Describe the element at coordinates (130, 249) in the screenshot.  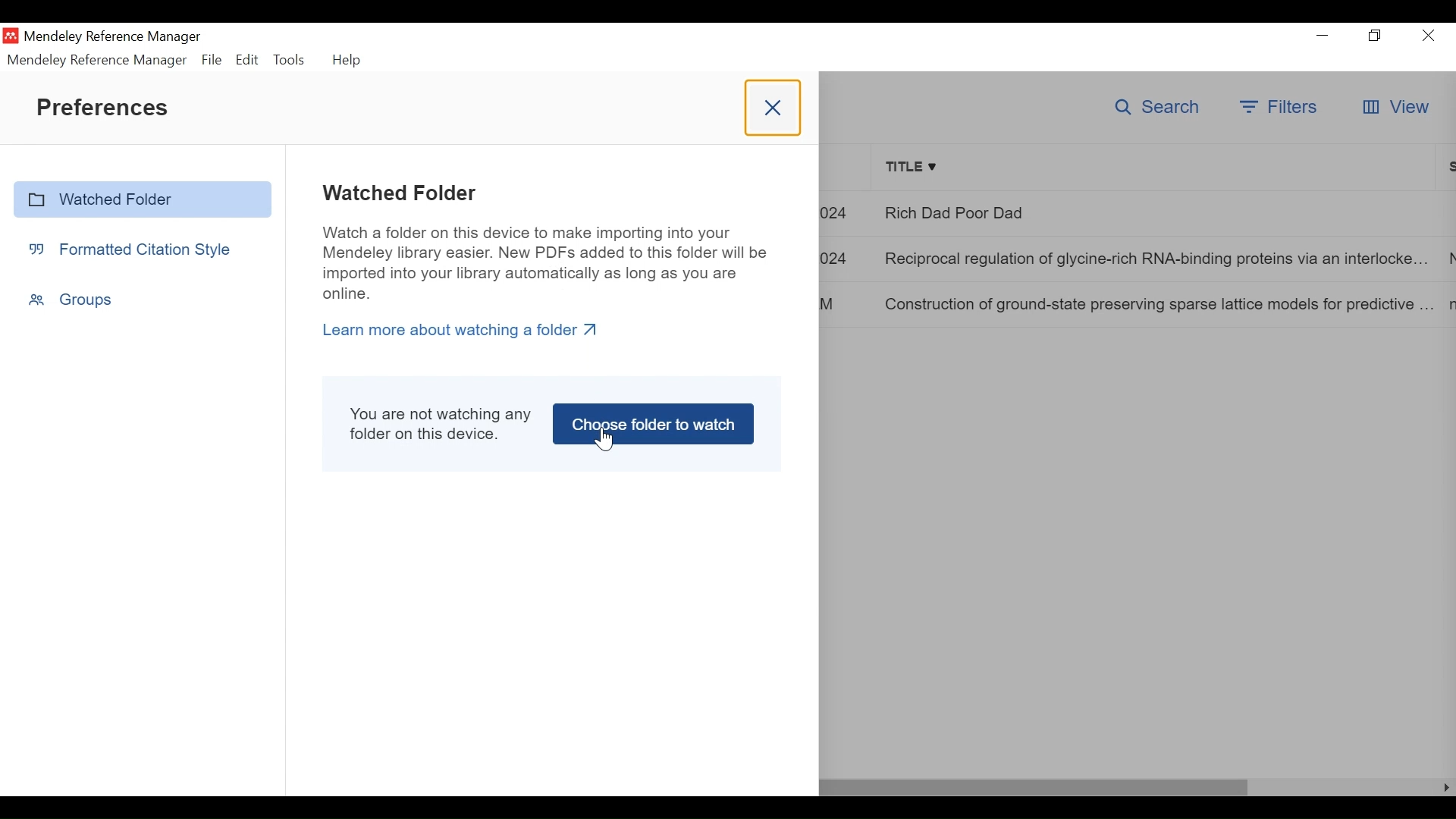
I see `Formatted Citation Style` at that location.